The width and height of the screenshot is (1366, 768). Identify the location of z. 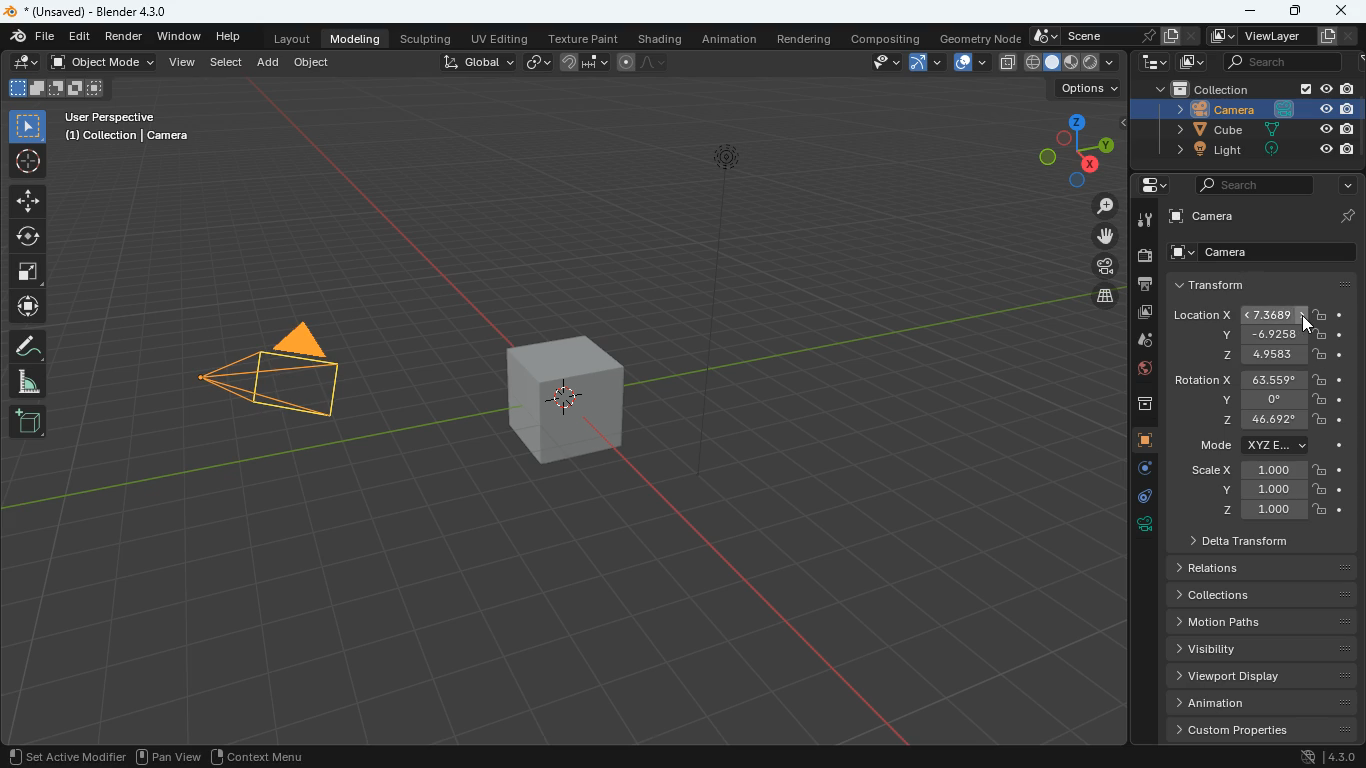
(1266, 425).